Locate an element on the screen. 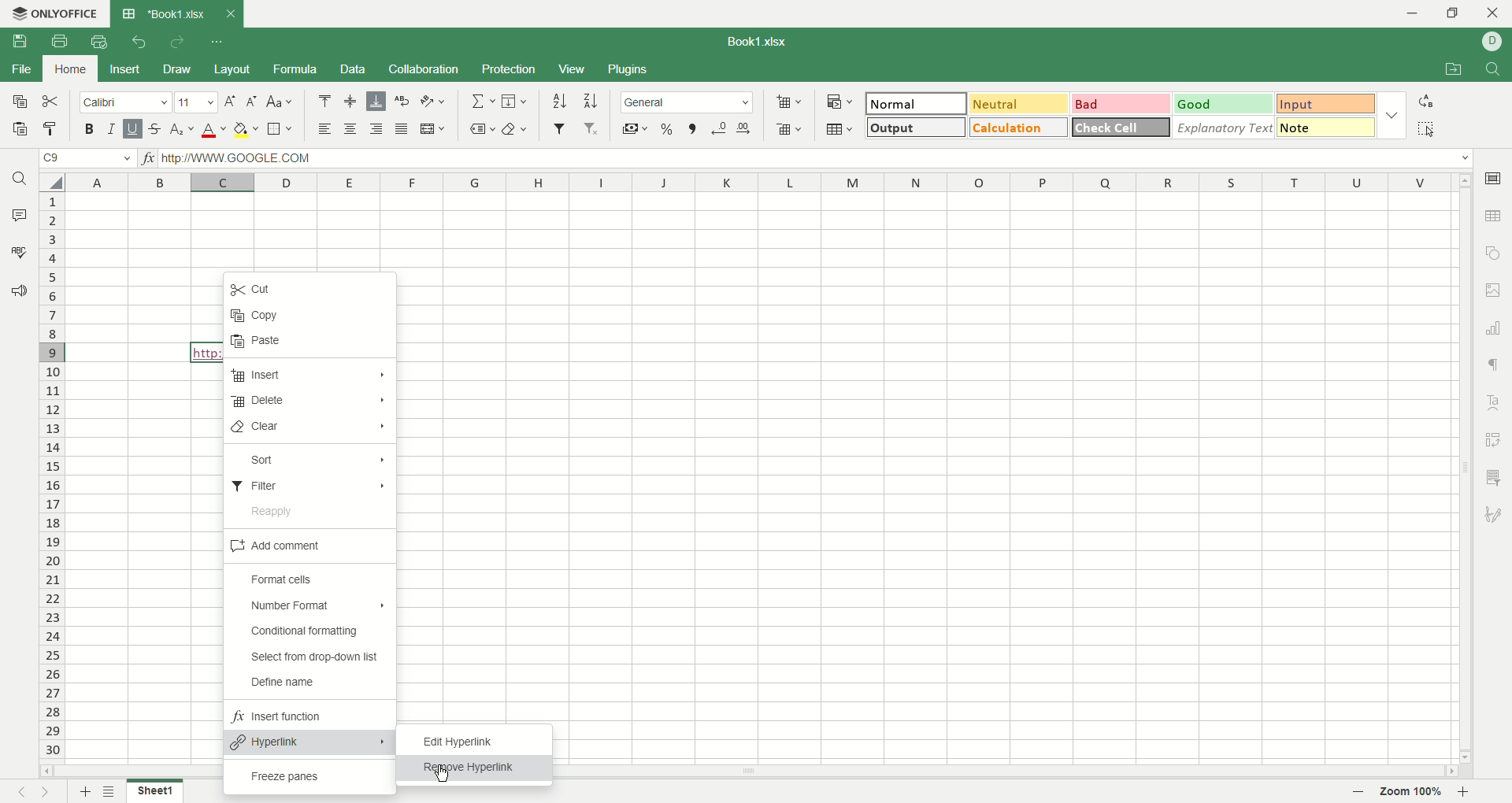 The width and height of the screenshot is (1512, 803). remove hyperlink is located at coordinates (469, 768).